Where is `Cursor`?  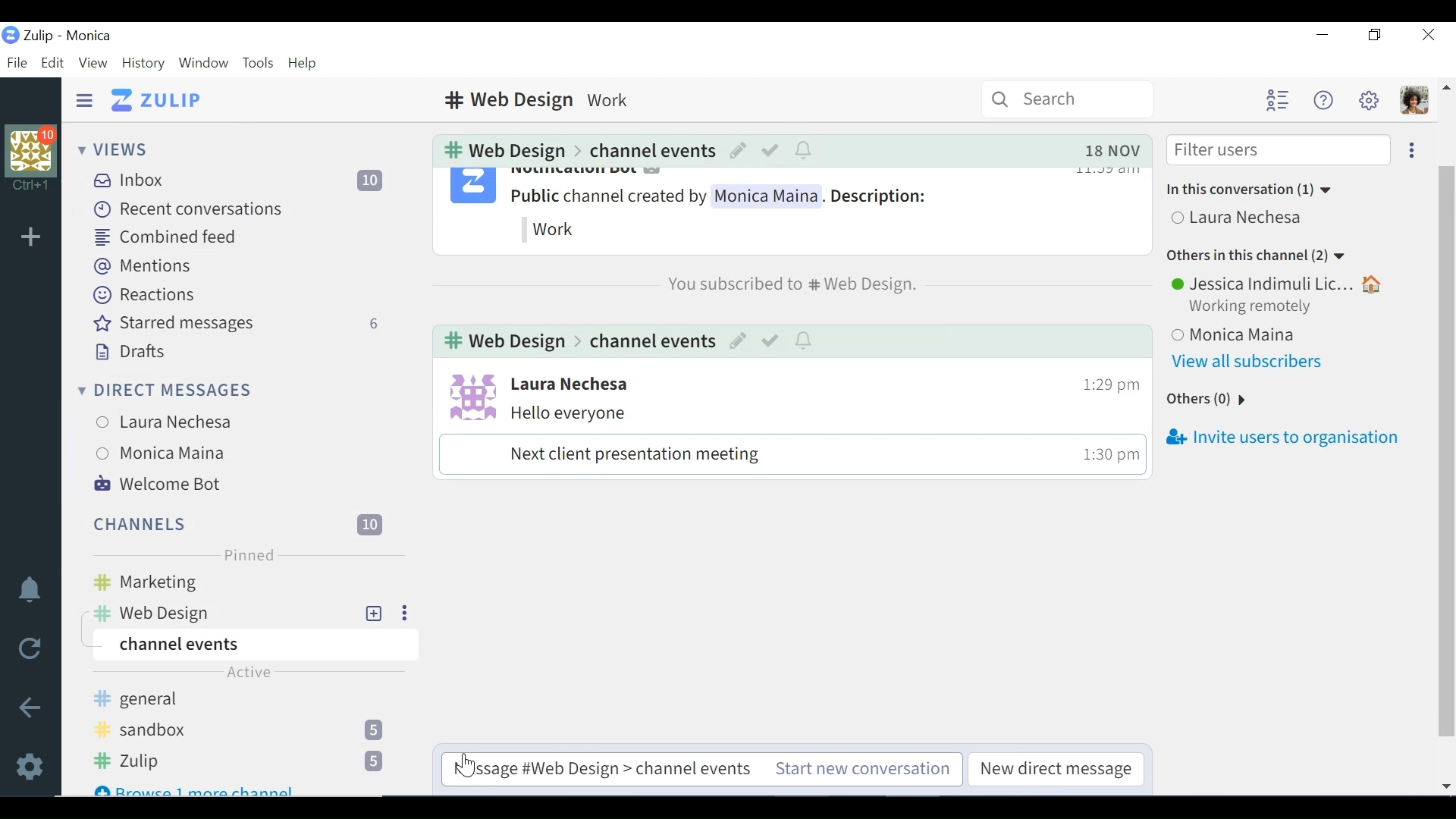
Cursor is located at coordinates (471, 765).